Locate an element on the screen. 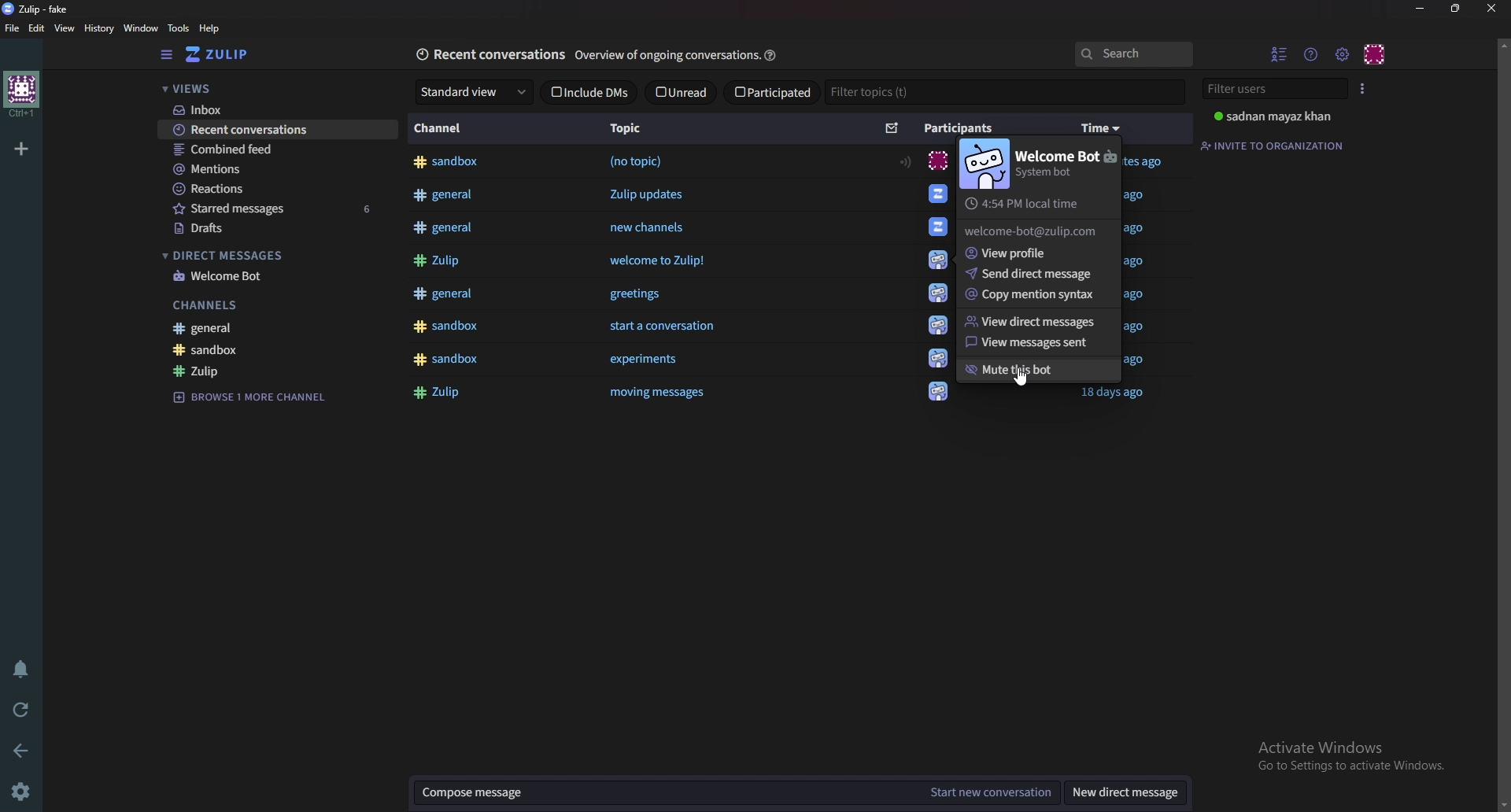 The image size is (1511, 812). Edit is located at coordinates (37, 28).